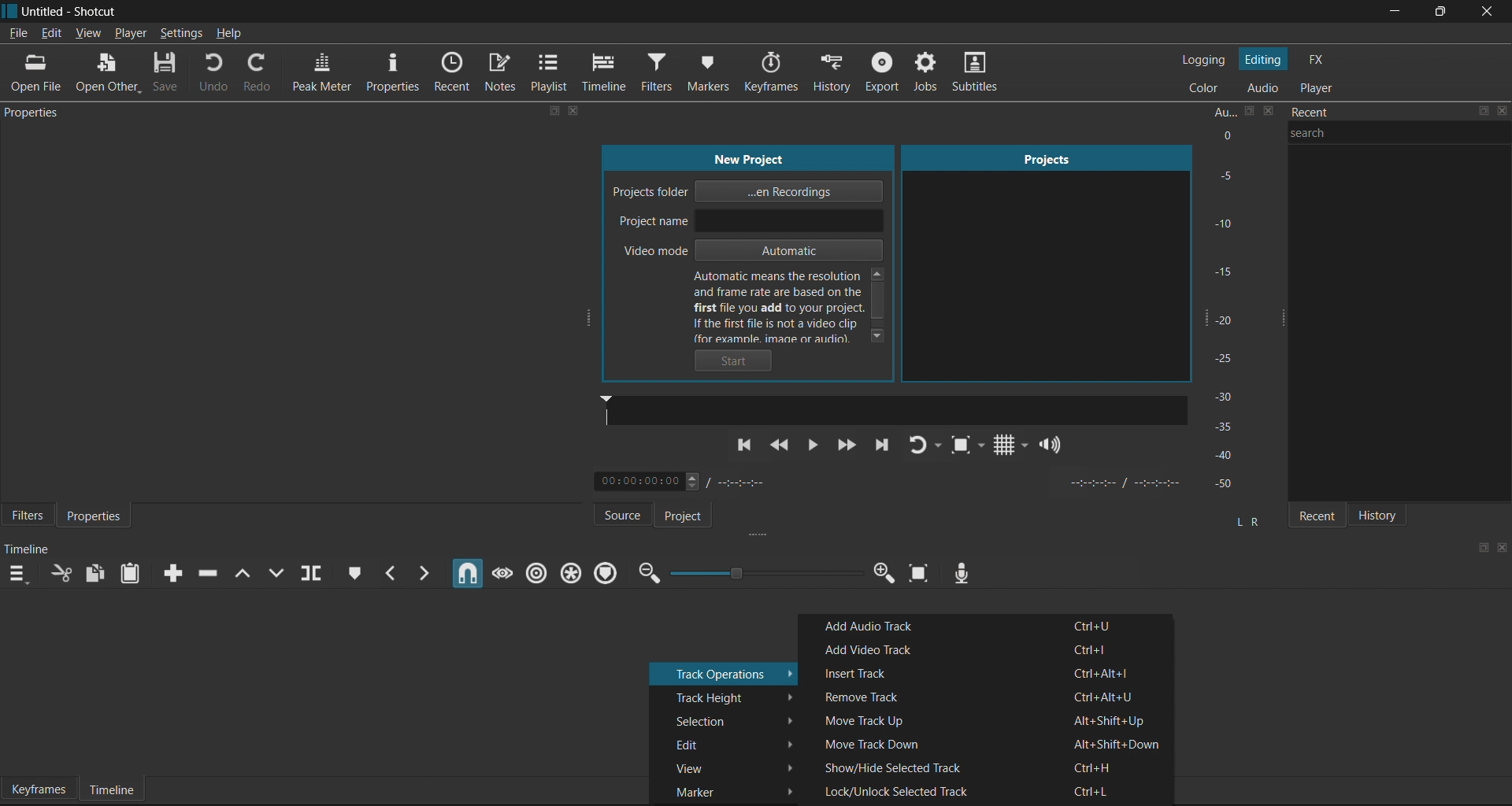 This screenshot has height=806, width=1512. I want to click on maximize, so click(1484, 113).